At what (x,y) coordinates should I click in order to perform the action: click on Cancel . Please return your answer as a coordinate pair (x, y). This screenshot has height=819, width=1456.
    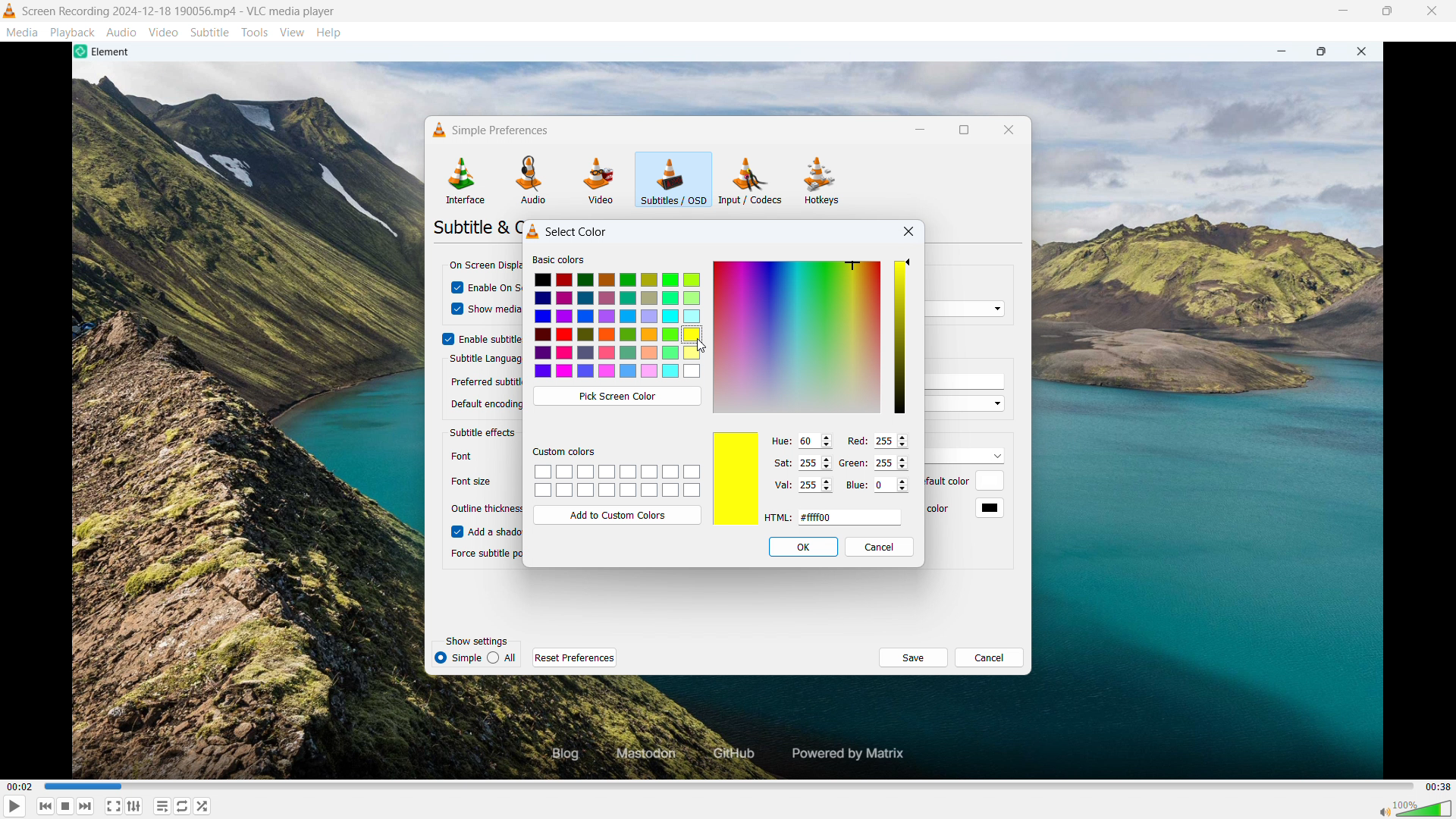
    Looking at the image, I should click on (880, 548).